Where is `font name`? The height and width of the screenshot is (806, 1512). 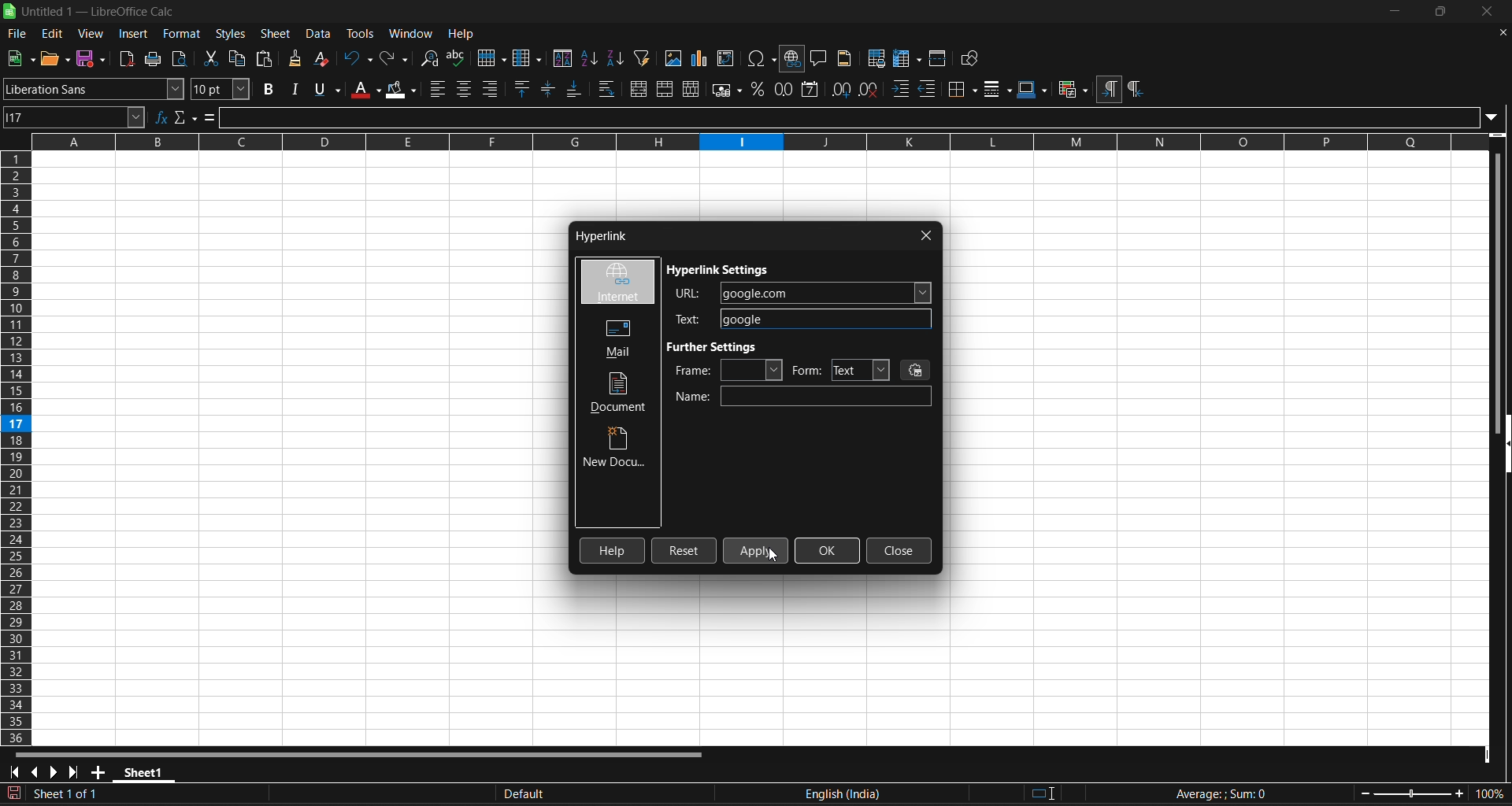
font name is located at coordinates (94, 88).